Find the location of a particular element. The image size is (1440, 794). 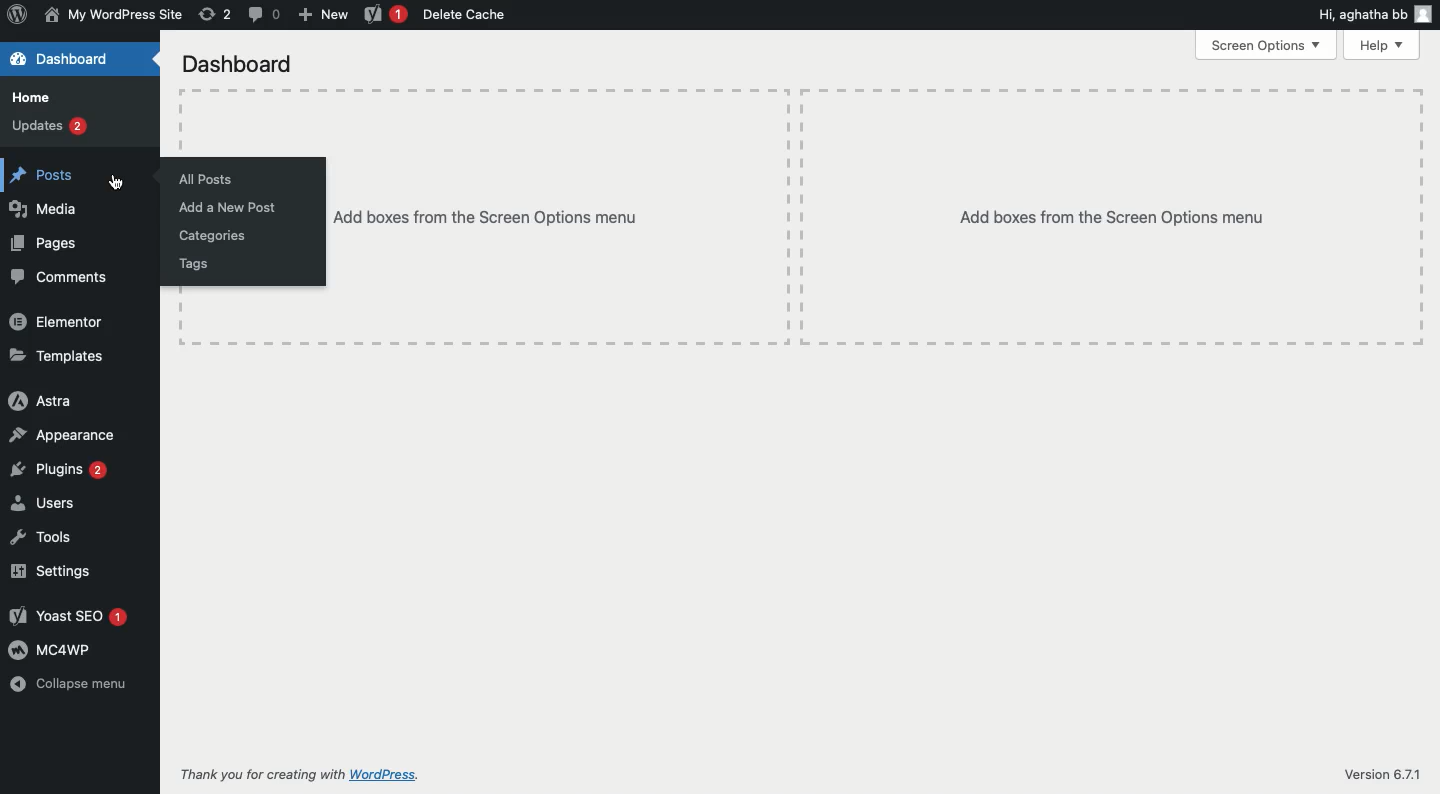

Elementor is located at coordinates (59, 322).